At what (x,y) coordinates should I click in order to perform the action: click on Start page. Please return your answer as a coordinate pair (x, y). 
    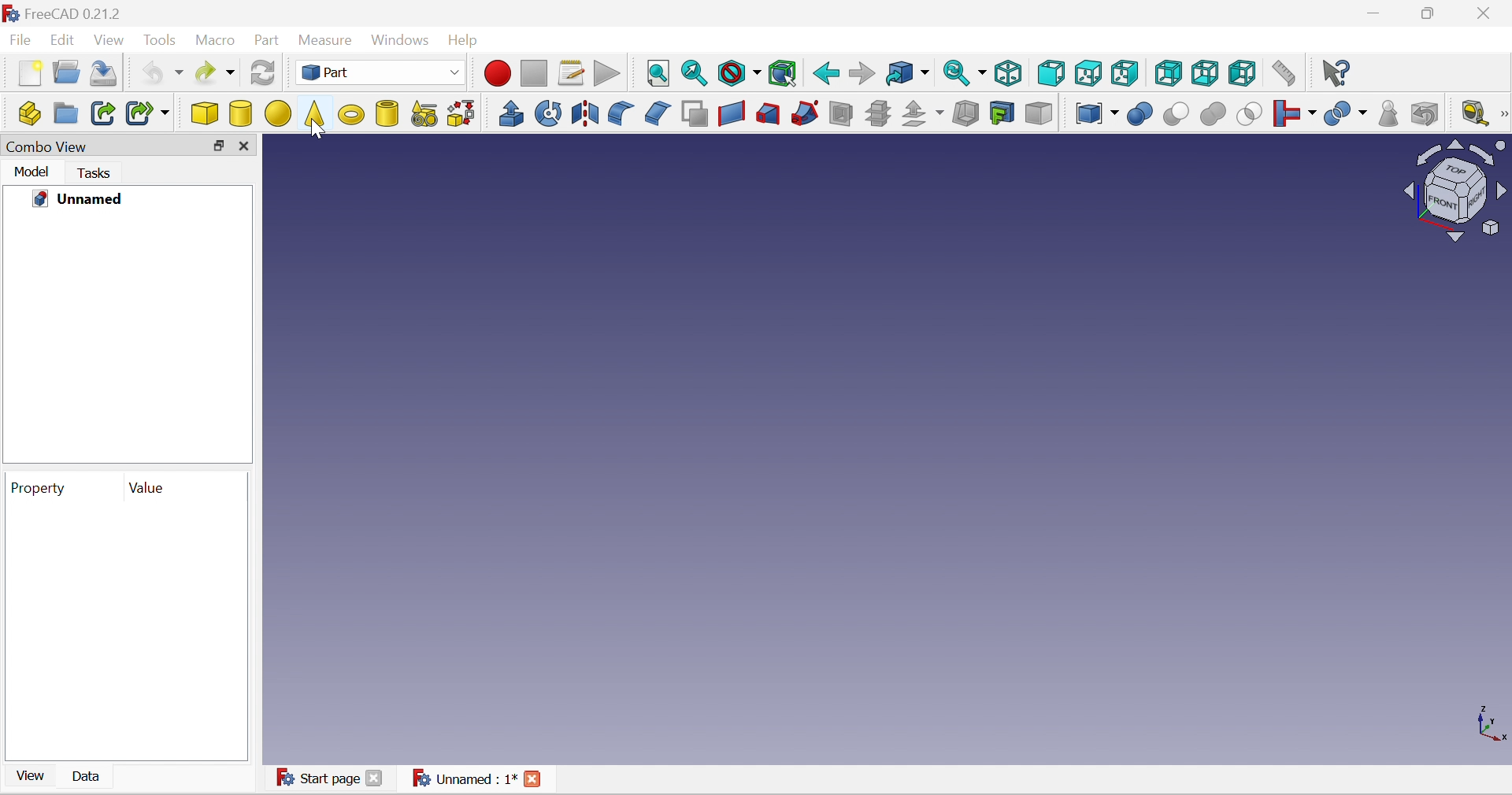
    Looking at the image, I should click on (334, 778).